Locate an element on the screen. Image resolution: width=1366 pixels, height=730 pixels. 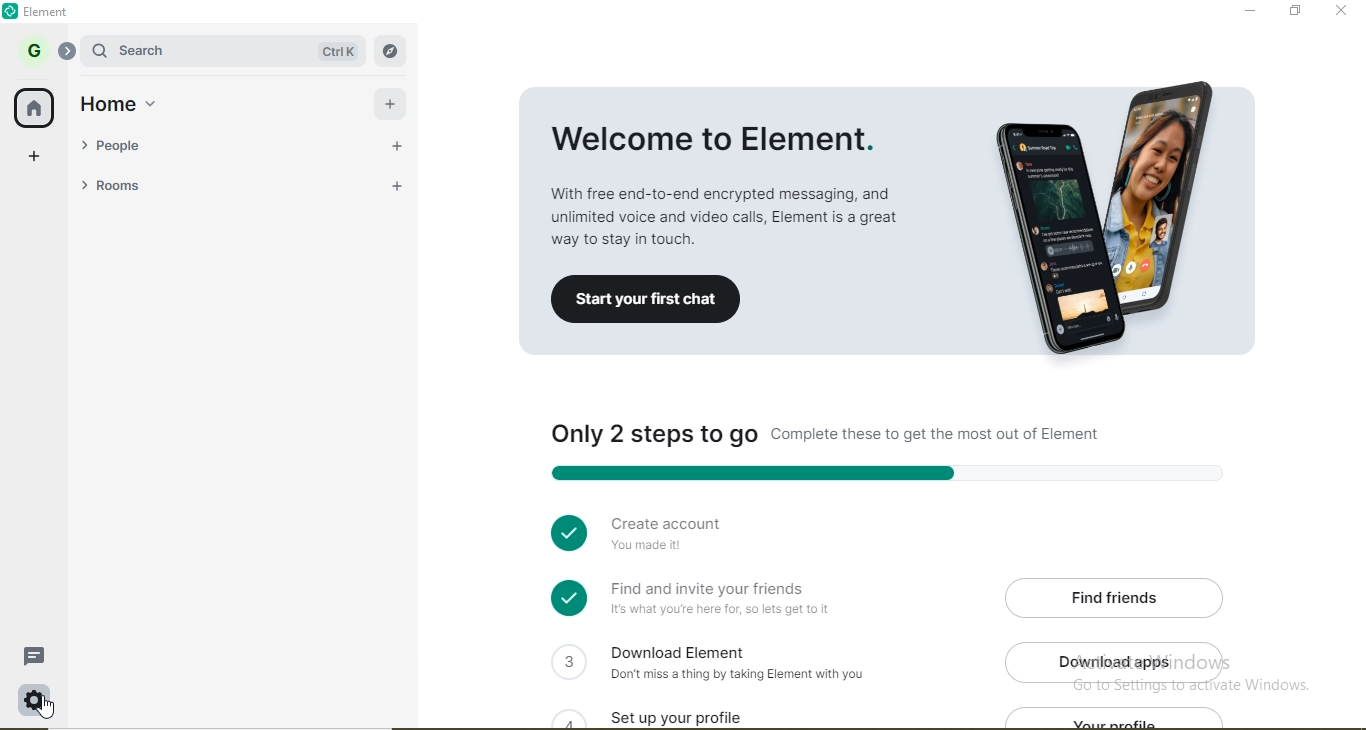
add people is located at coordinates (392, 144).